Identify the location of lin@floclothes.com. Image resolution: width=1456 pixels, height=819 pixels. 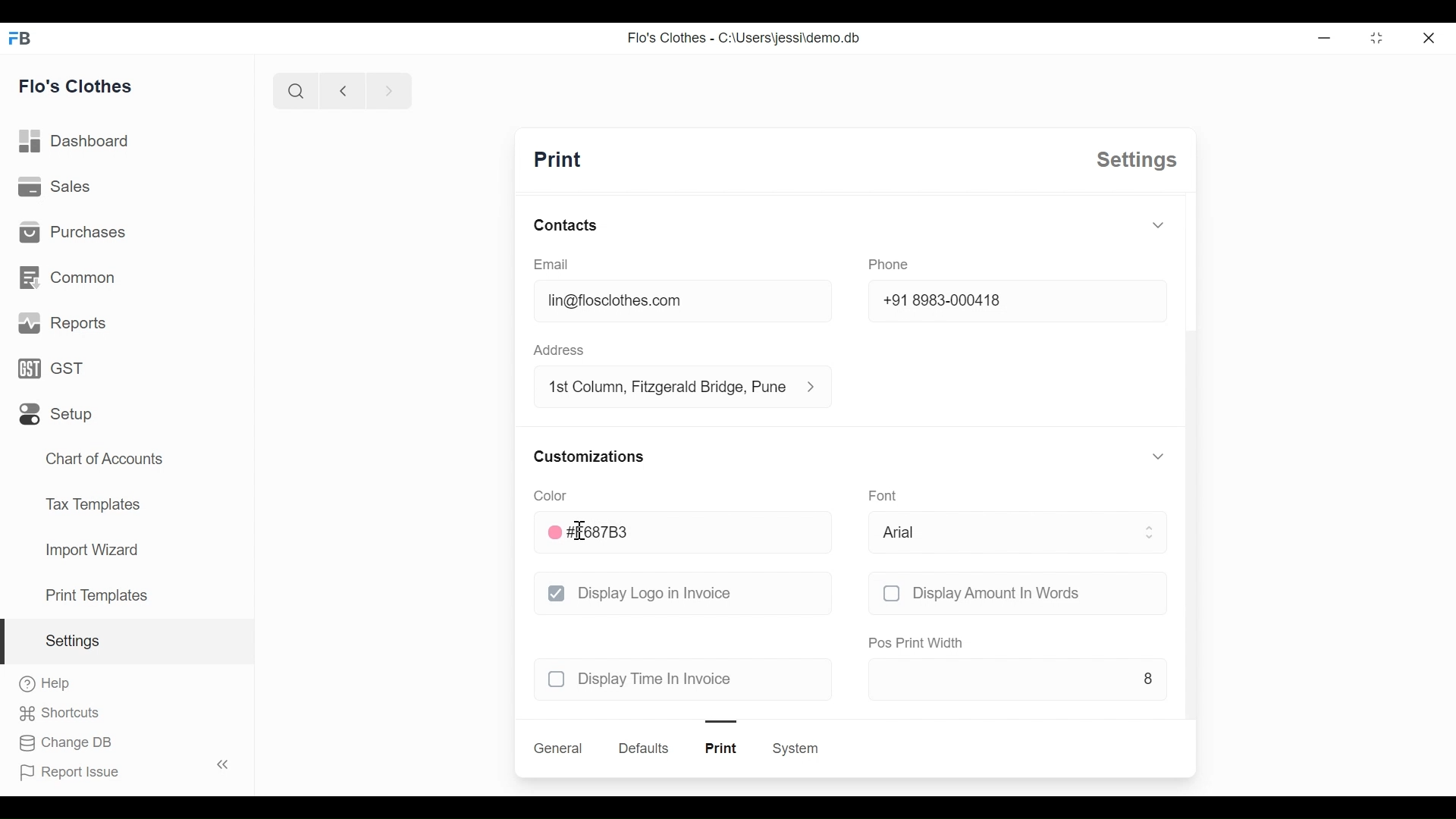
(684, 300).